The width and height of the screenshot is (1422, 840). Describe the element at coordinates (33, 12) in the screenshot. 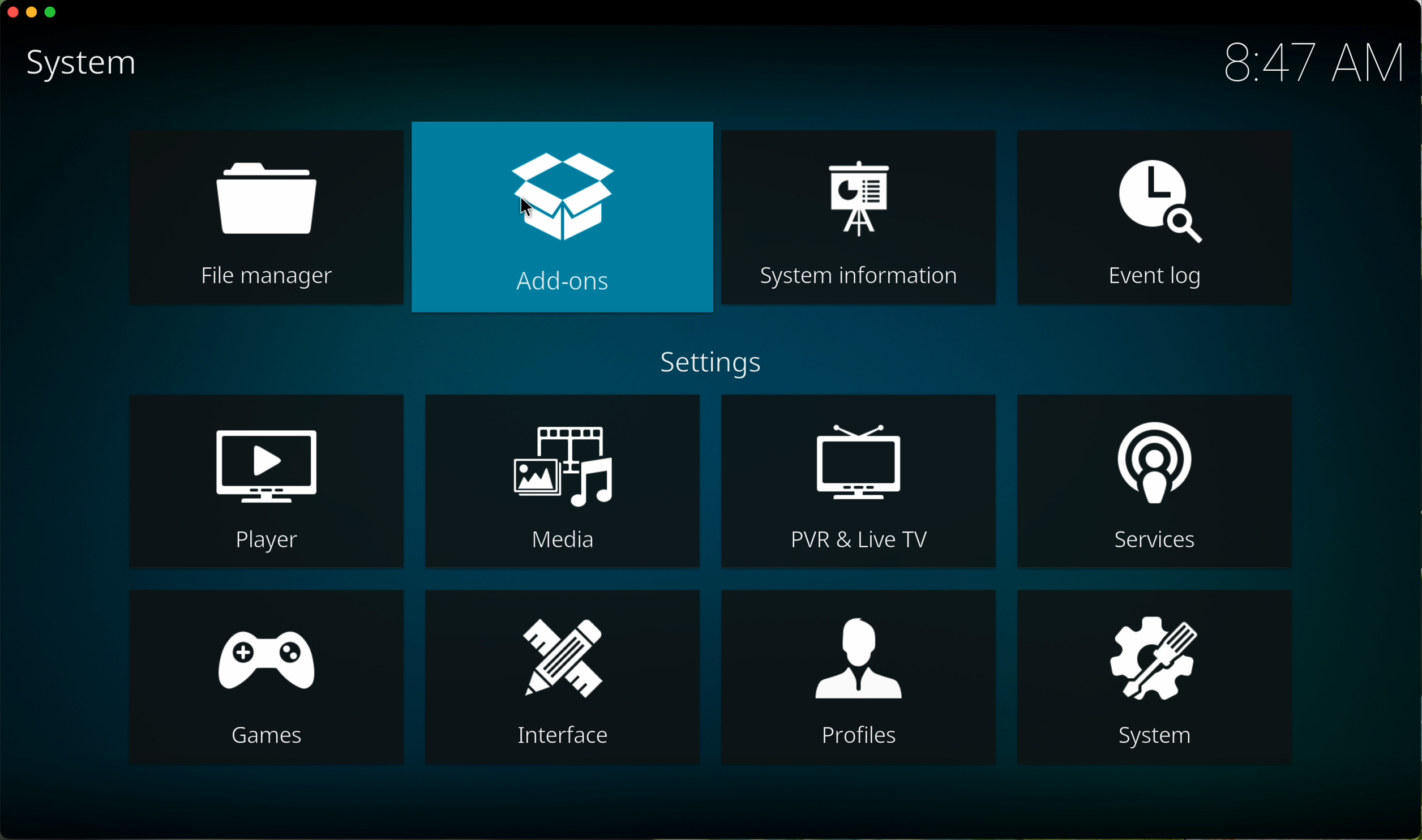

I see `minimize` at that location.